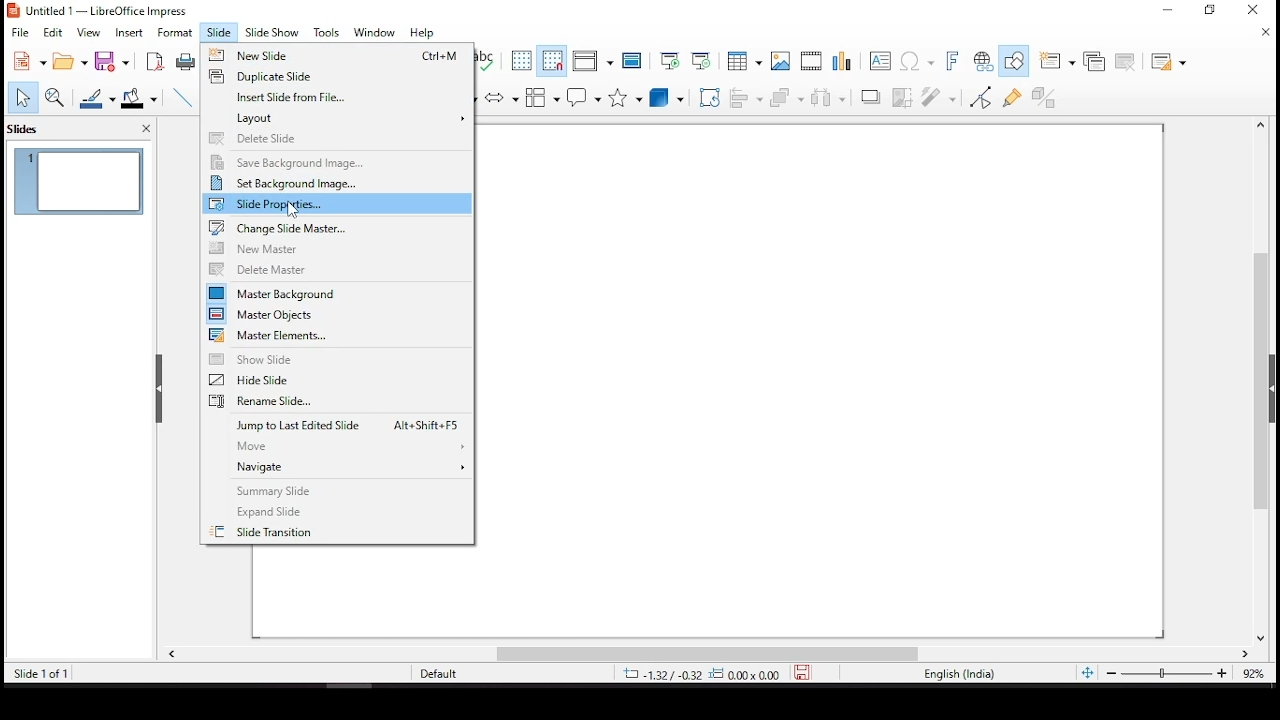 This screenshot has height=720, width=1280. I want to click on insert hyperlink, so click(984, 60).